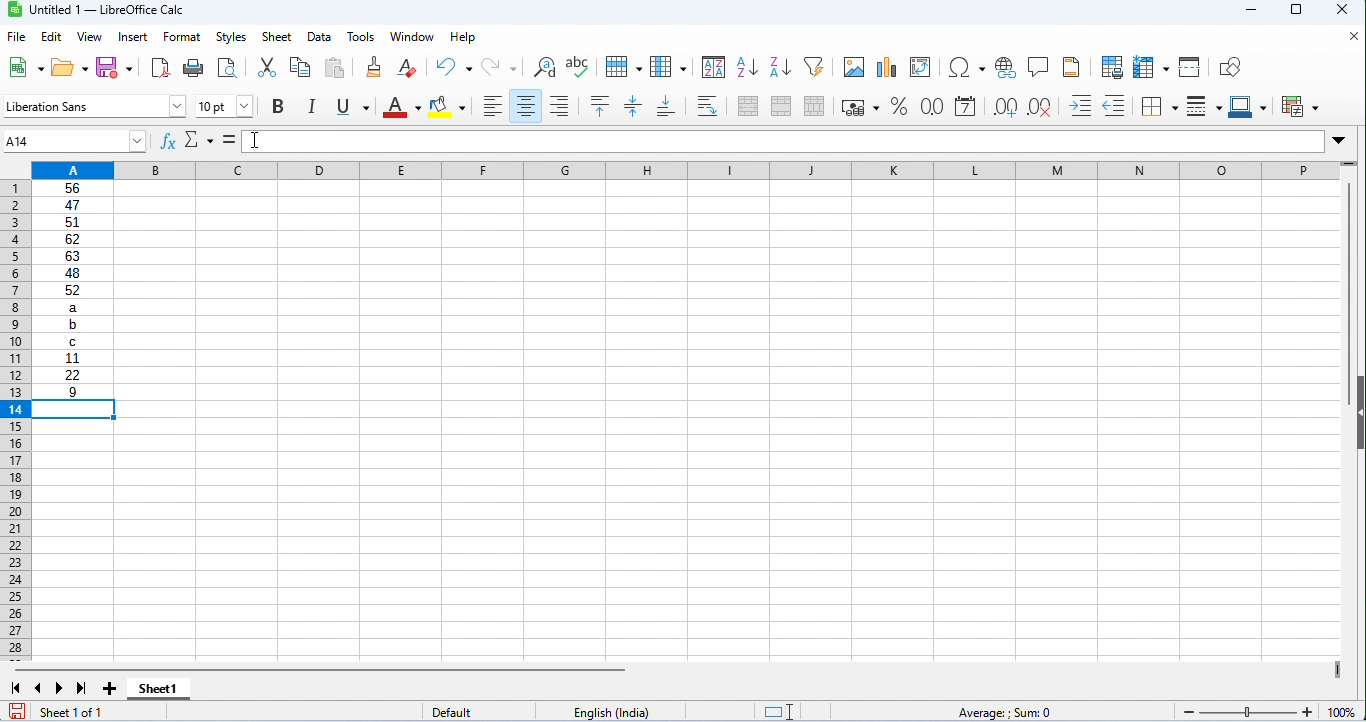 The image size is (1366, 722). I want to click on minimize, so click(1250, 11).